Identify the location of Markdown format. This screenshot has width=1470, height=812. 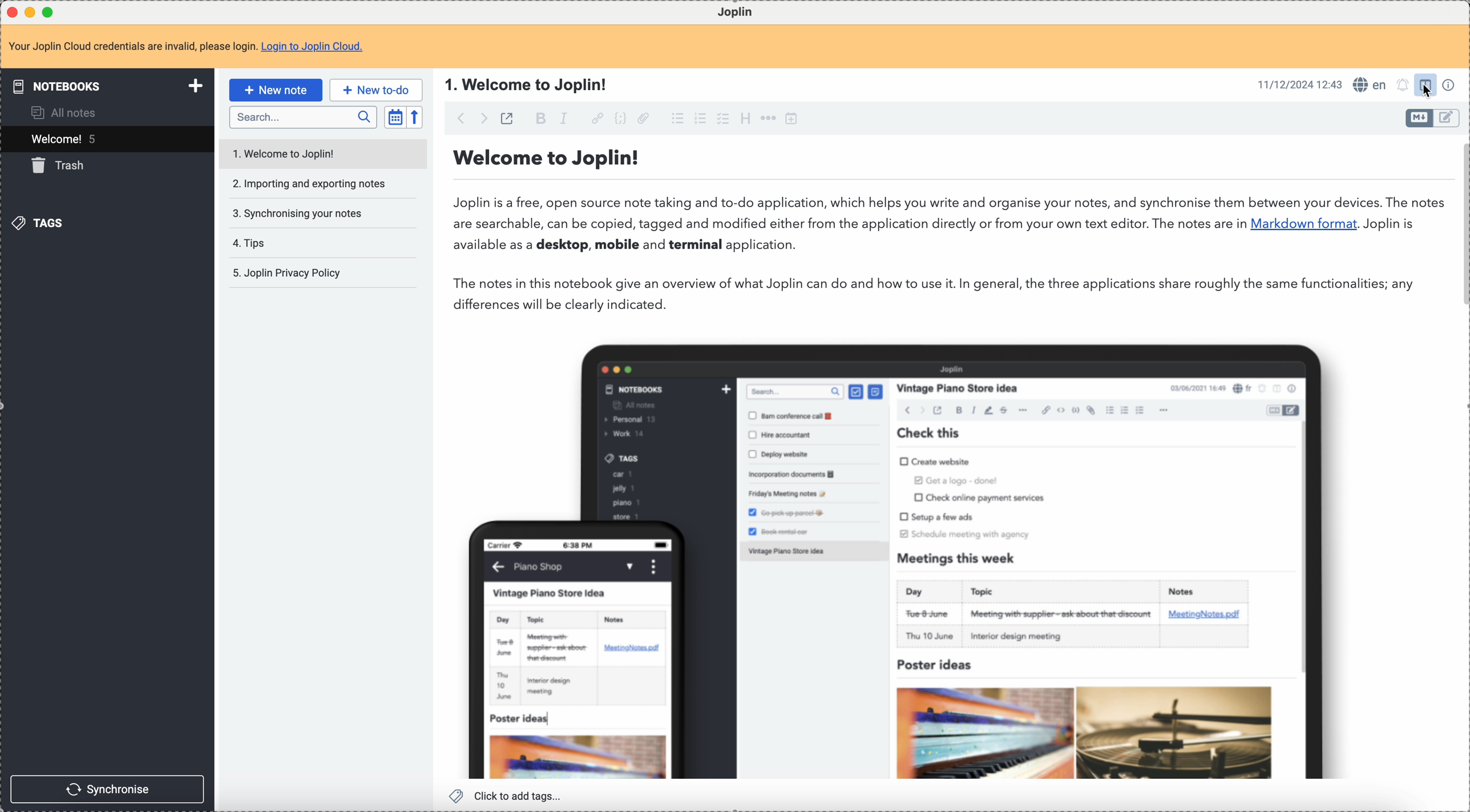
(1304, 224).